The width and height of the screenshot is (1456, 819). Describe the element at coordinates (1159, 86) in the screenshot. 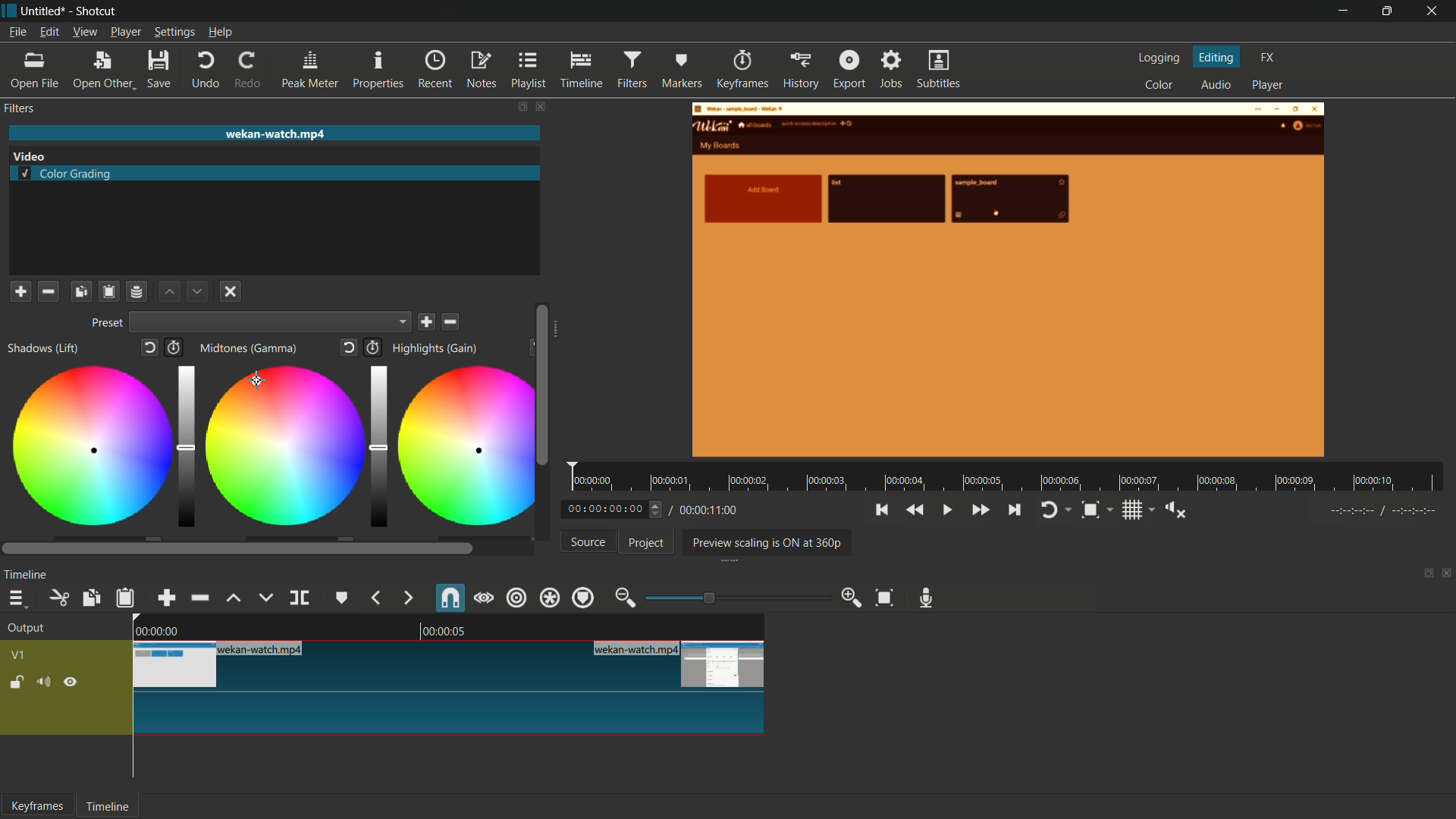

I see `color` at that location.